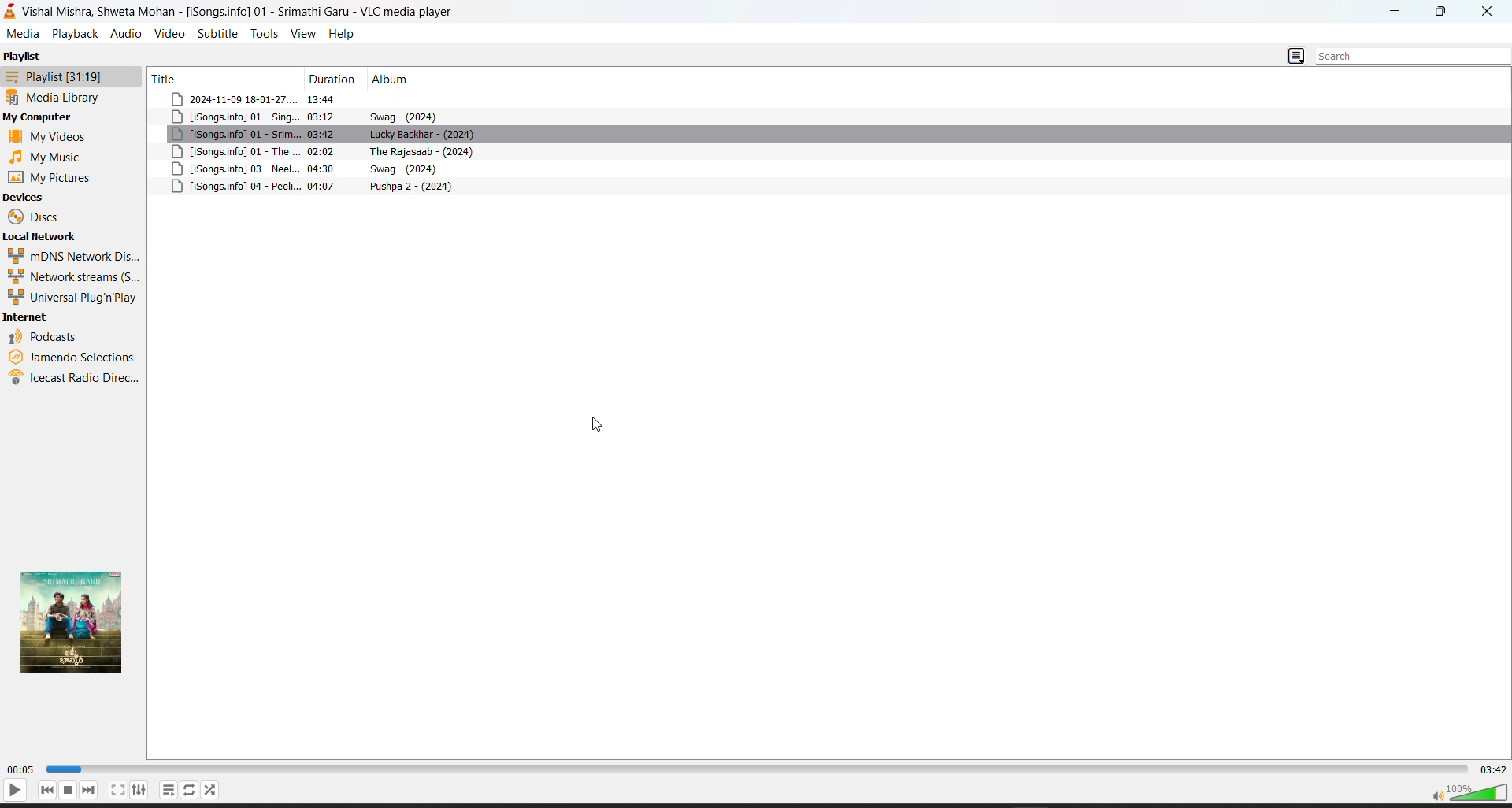 The height and width of the screenshot is (808, 1512). I want to click on song, so click(828, 98).